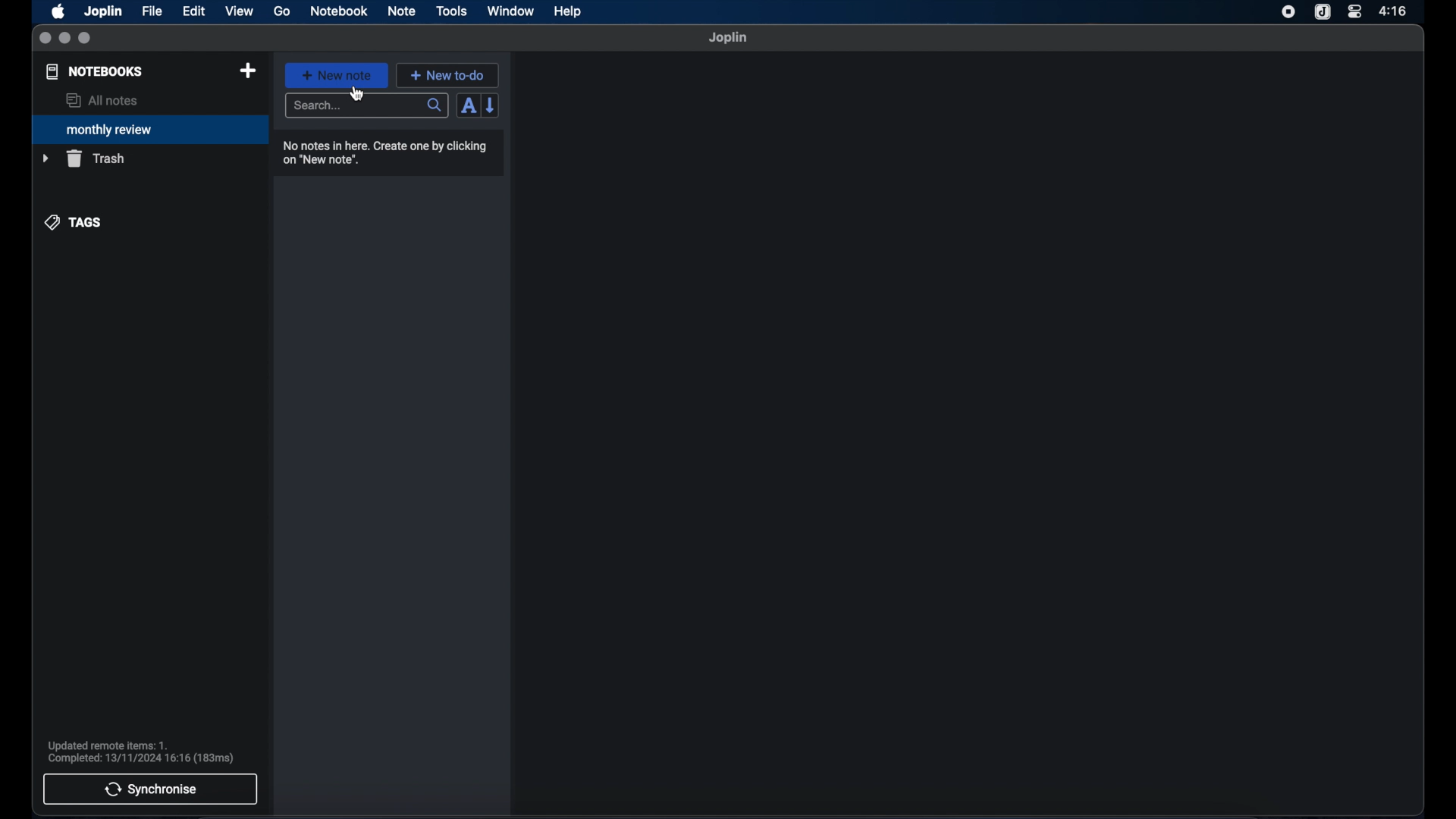 The height and width of the screenshot is (819, 1456). What do you see at coordinates (728, 37) in the screenshot?
I see `joplin` at bounding box center [728, 37].